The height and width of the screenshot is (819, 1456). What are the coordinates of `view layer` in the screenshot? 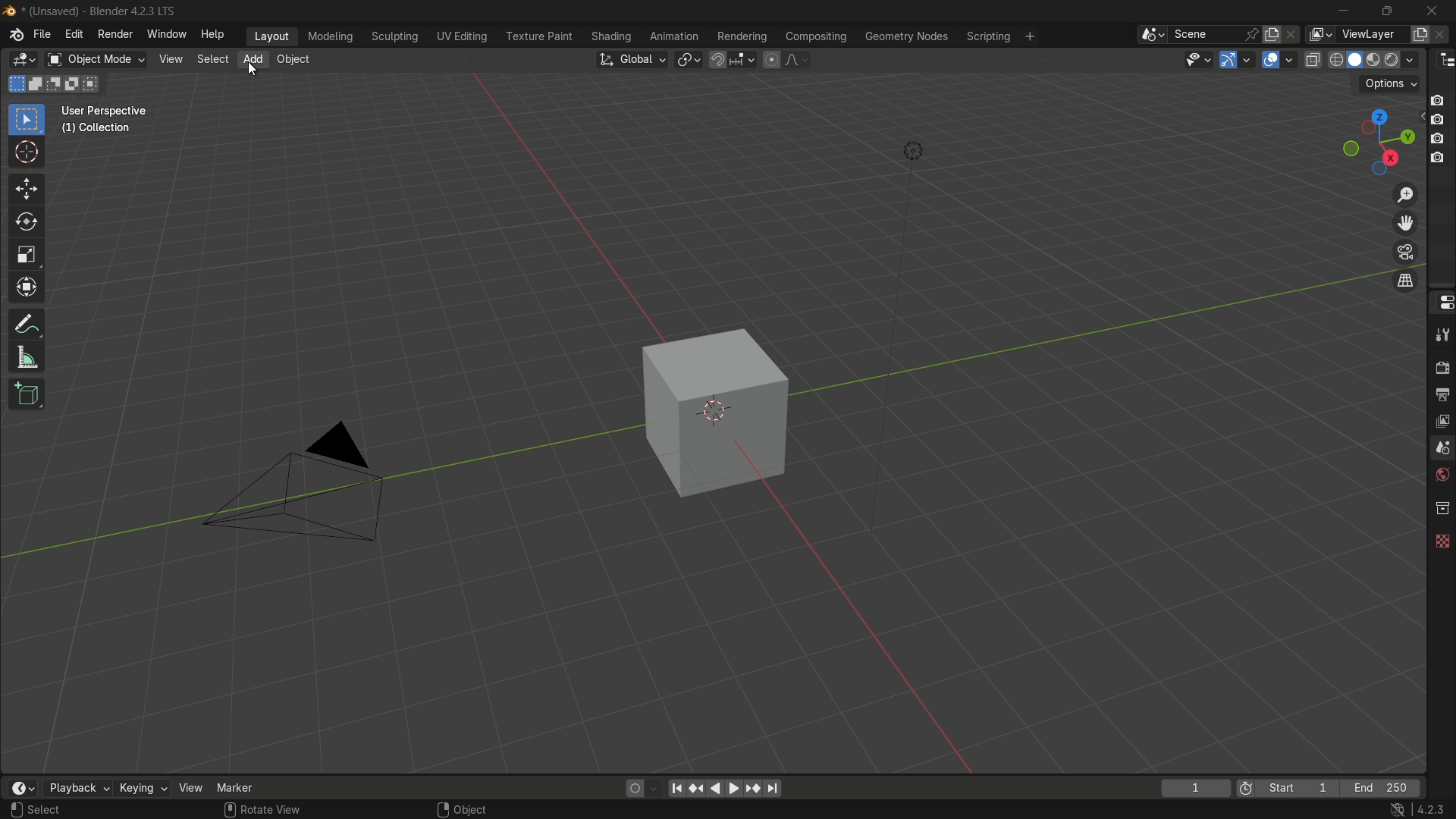 It's located at (1441, 421).